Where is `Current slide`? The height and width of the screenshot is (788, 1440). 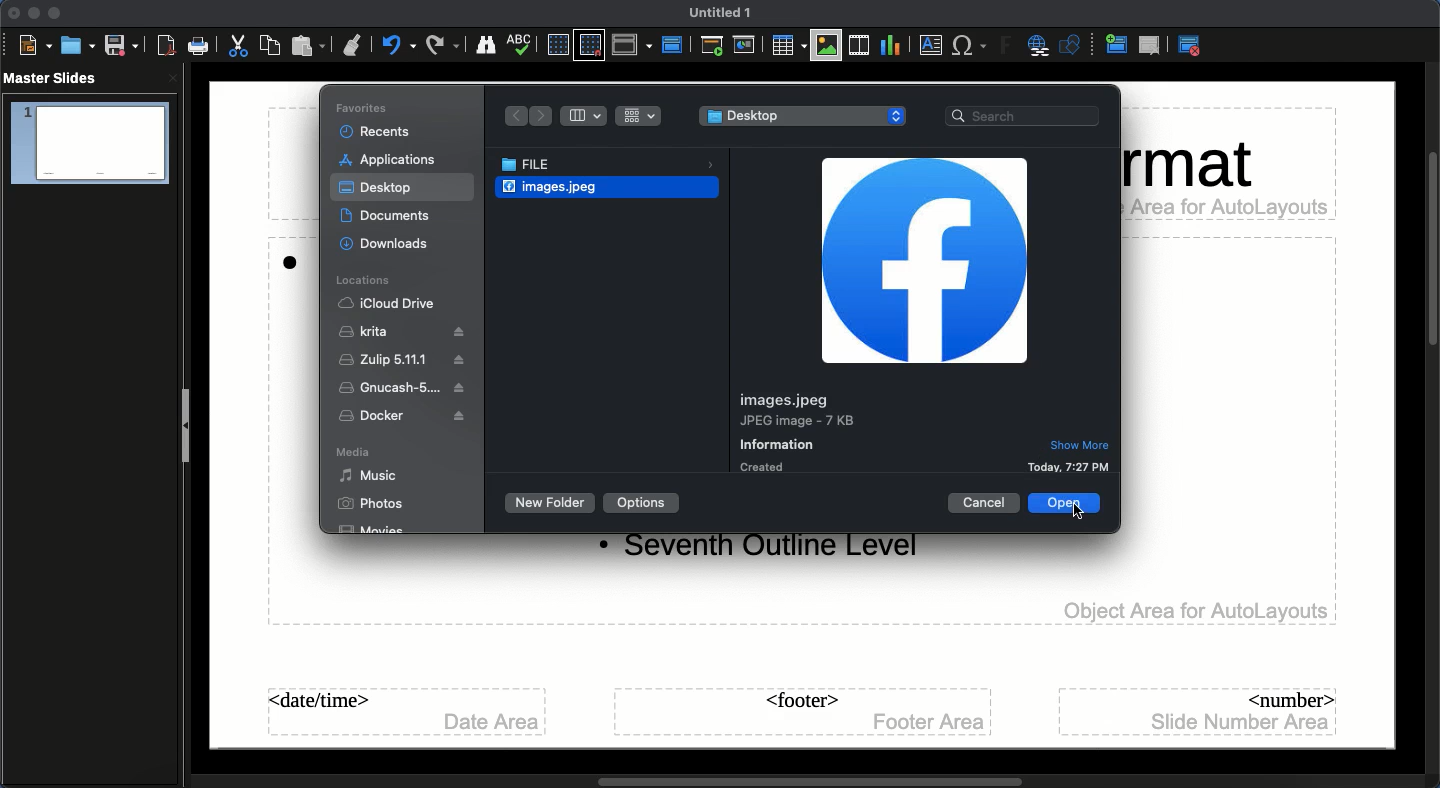
Current slide is located at coordinates (746, 48).